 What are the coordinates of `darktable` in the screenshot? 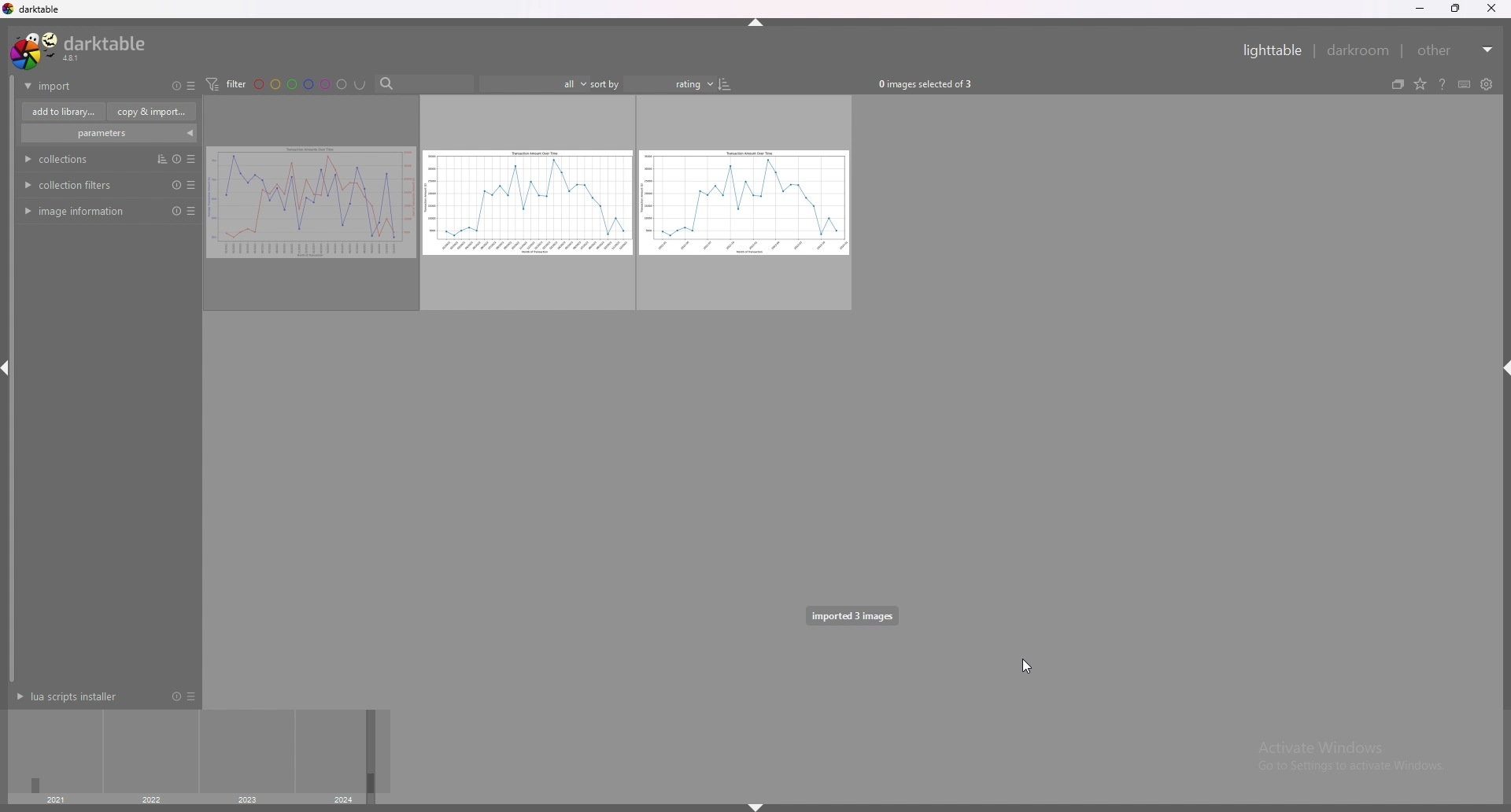 It's located at (79, 50).